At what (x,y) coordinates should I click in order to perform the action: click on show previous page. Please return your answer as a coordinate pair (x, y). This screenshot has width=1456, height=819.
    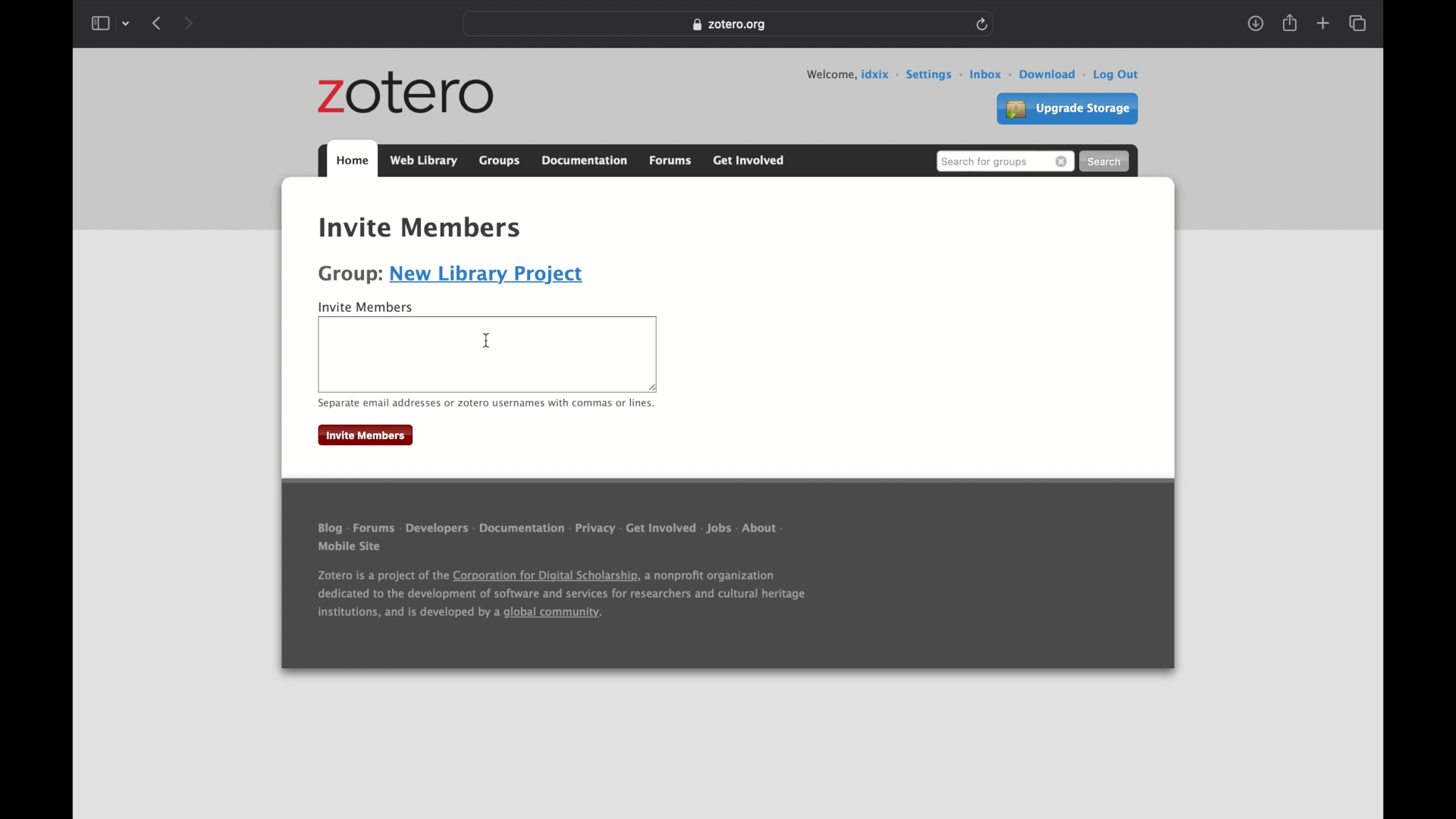
    Looking at the image, I should click on (158, 24).